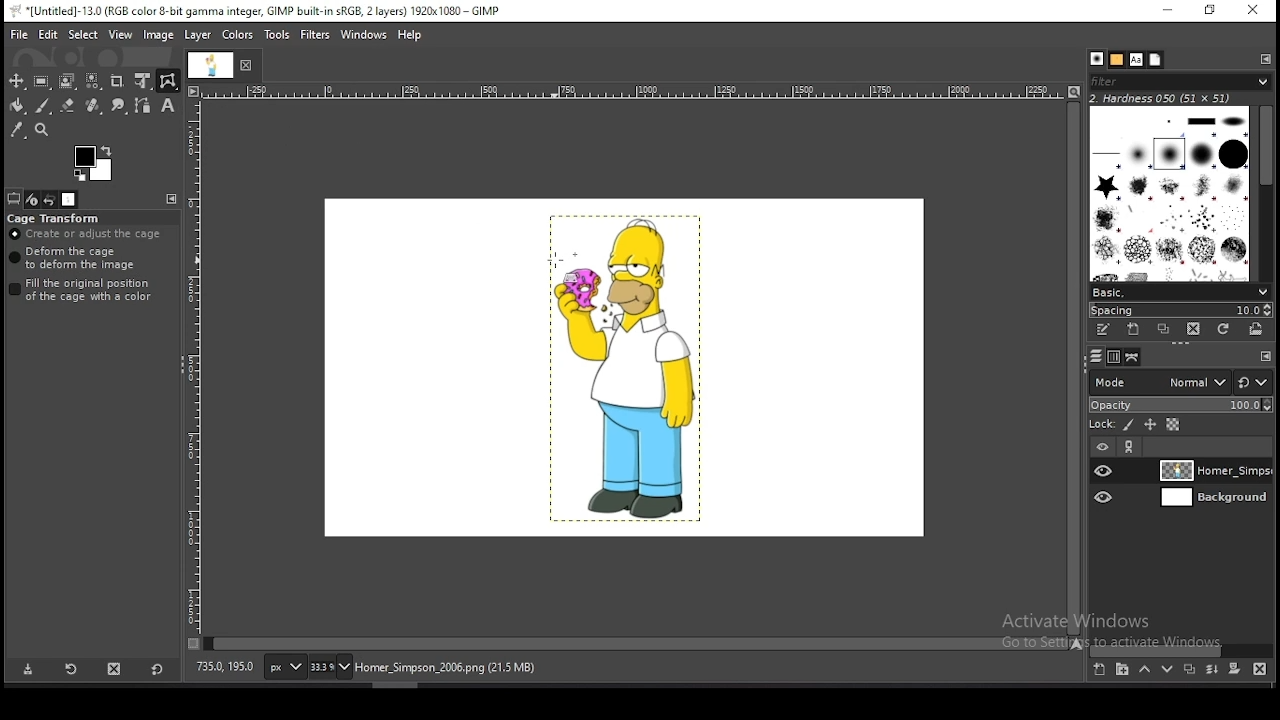 This screenshot has width=1280, height=720. Describe the element at coordinates (156, 671) in the screenshot. I see `reset` at that location.